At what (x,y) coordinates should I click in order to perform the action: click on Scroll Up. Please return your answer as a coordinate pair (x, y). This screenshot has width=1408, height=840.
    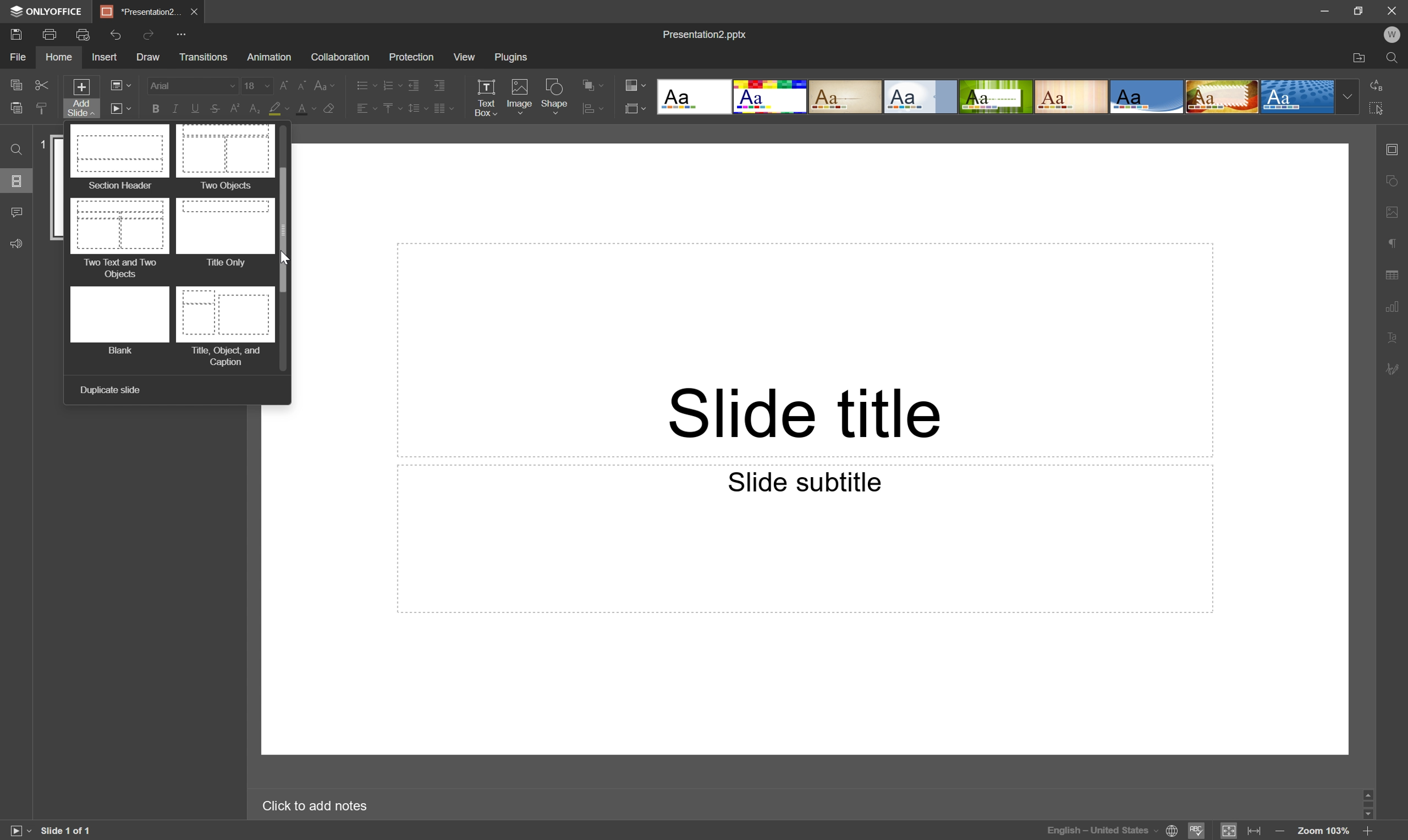
    Looking at the image, I should click on (1374, 792).